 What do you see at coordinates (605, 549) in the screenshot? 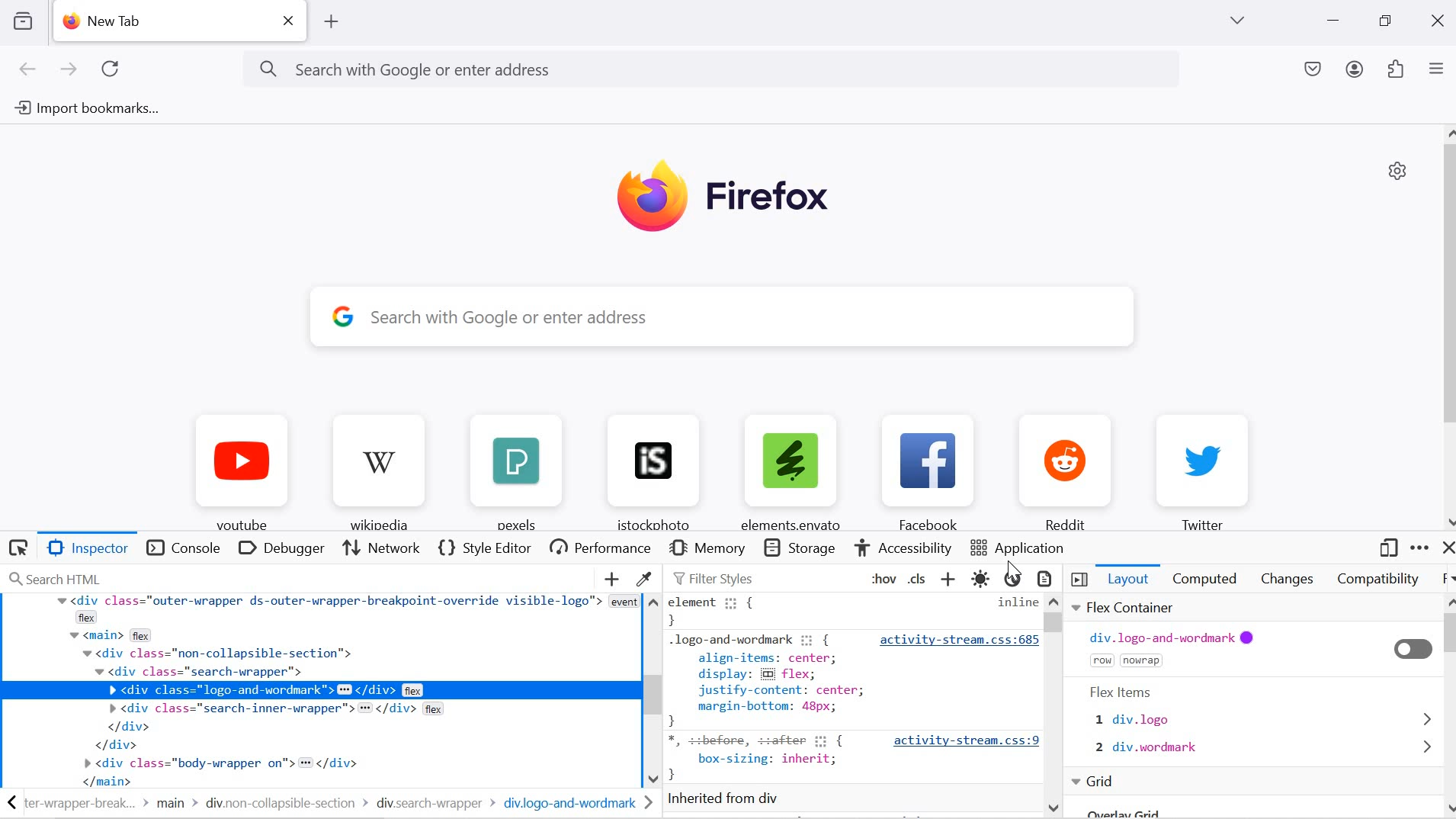
I see `performance` at bounding box center [605, 549].